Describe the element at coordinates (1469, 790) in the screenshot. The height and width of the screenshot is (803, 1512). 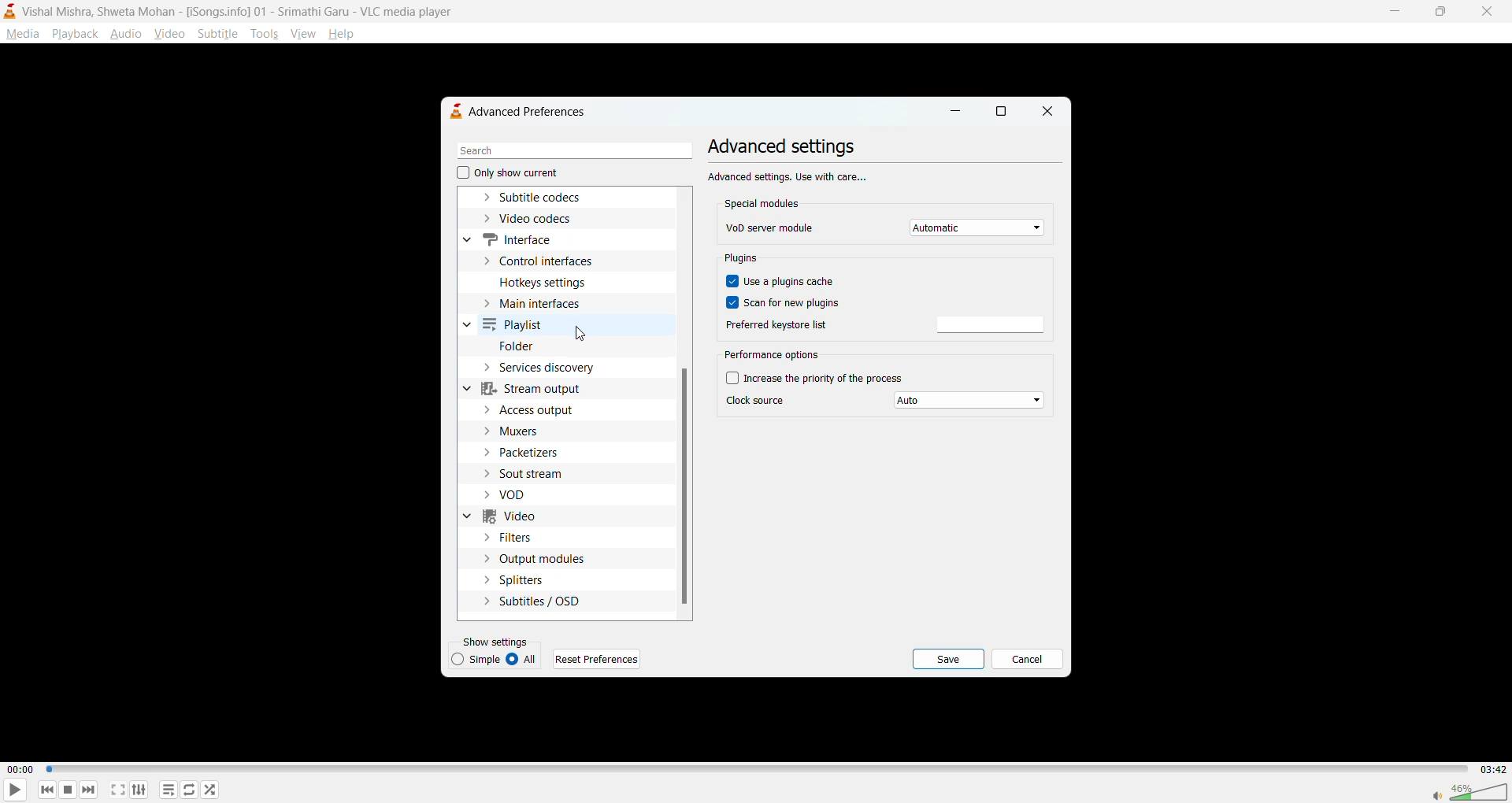
I see `volume` at that location.